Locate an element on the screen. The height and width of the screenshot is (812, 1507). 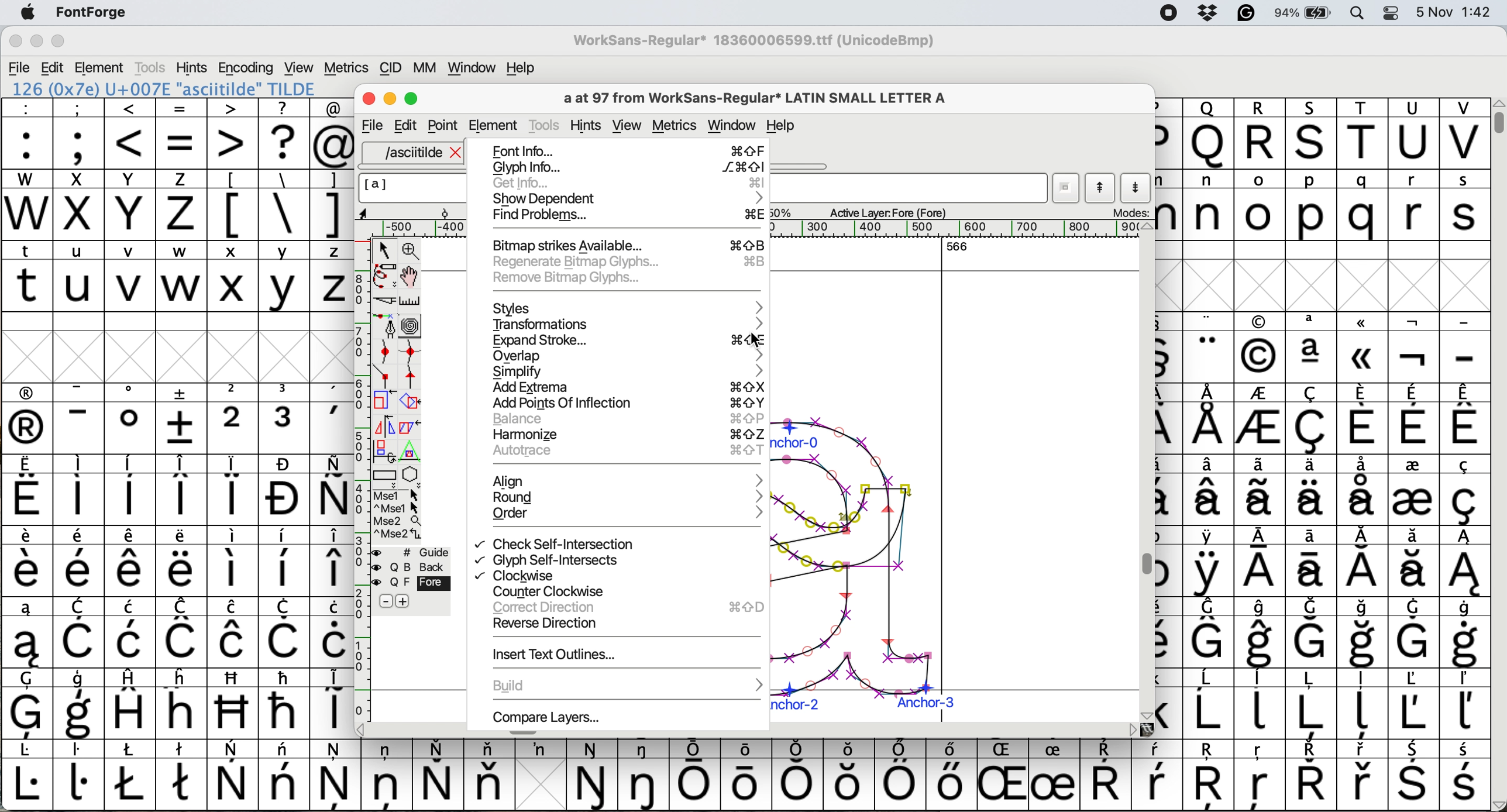
tools is located at coordinates (546, 123).